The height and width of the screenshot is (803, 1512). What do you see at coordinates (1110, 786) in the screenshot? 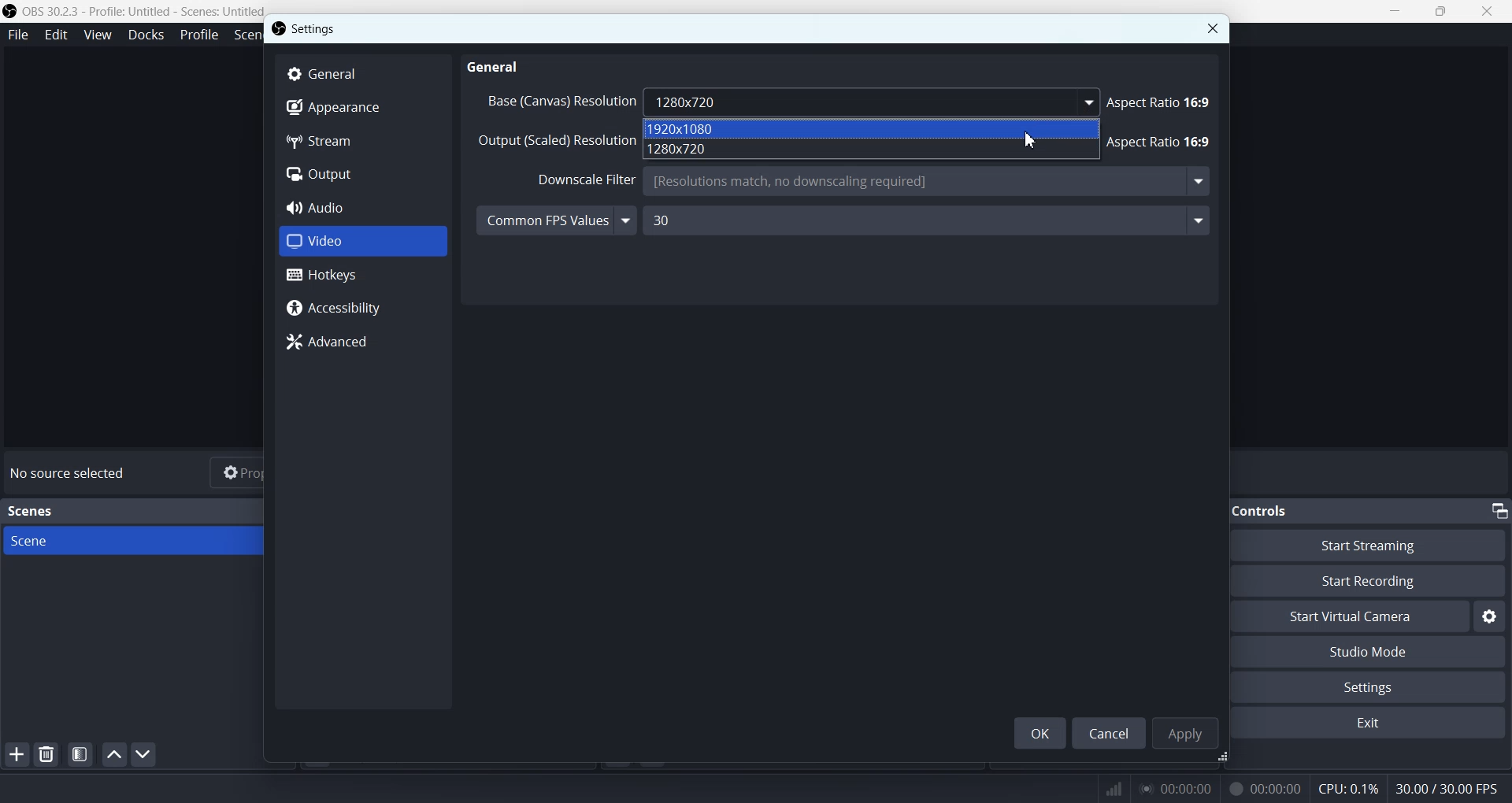
I see `network` at bounding box center [1110, 786].